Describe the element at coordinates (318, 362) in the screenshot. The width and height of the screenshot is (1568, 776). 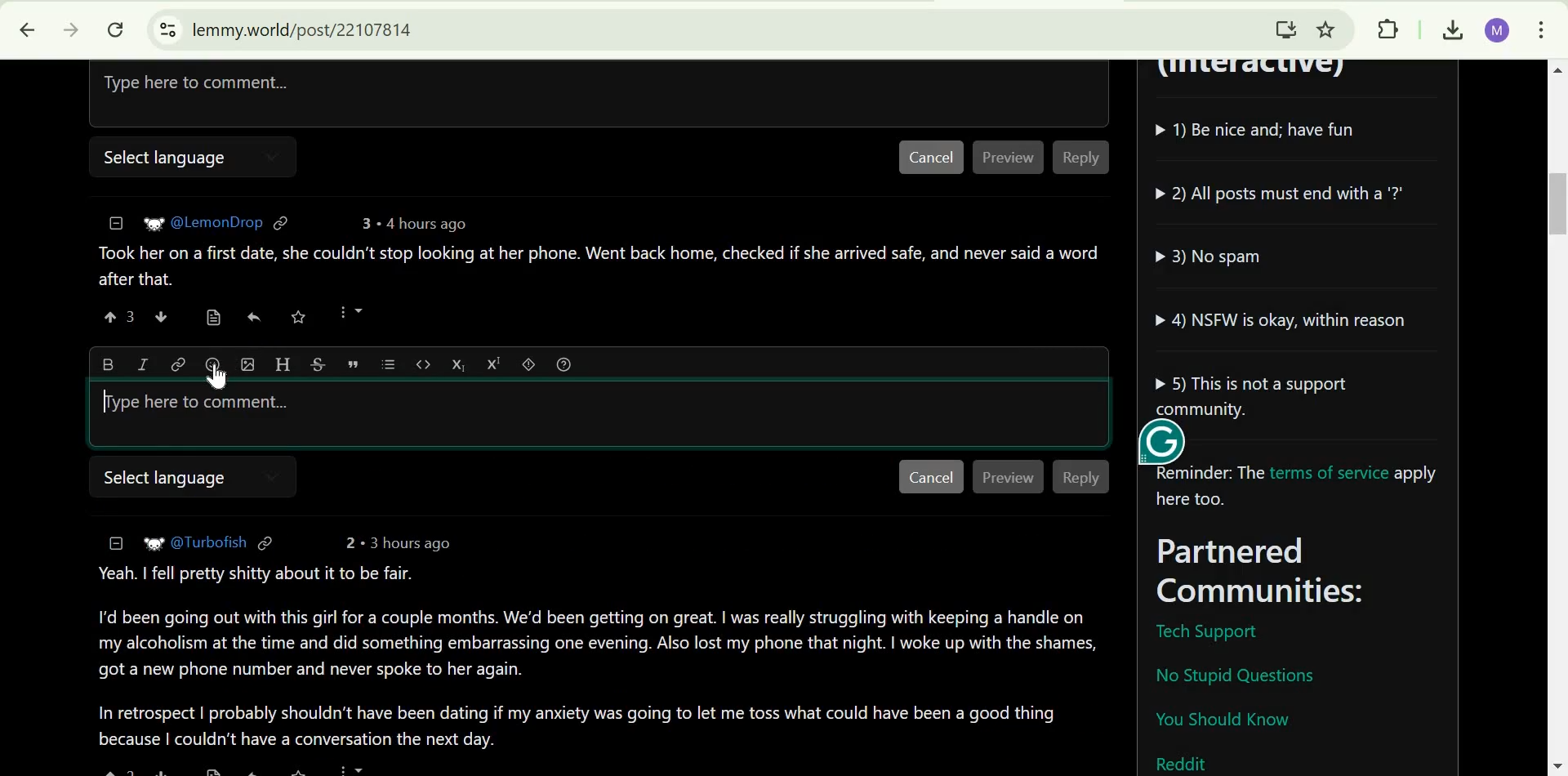
I see `Strikethrough` at that location.